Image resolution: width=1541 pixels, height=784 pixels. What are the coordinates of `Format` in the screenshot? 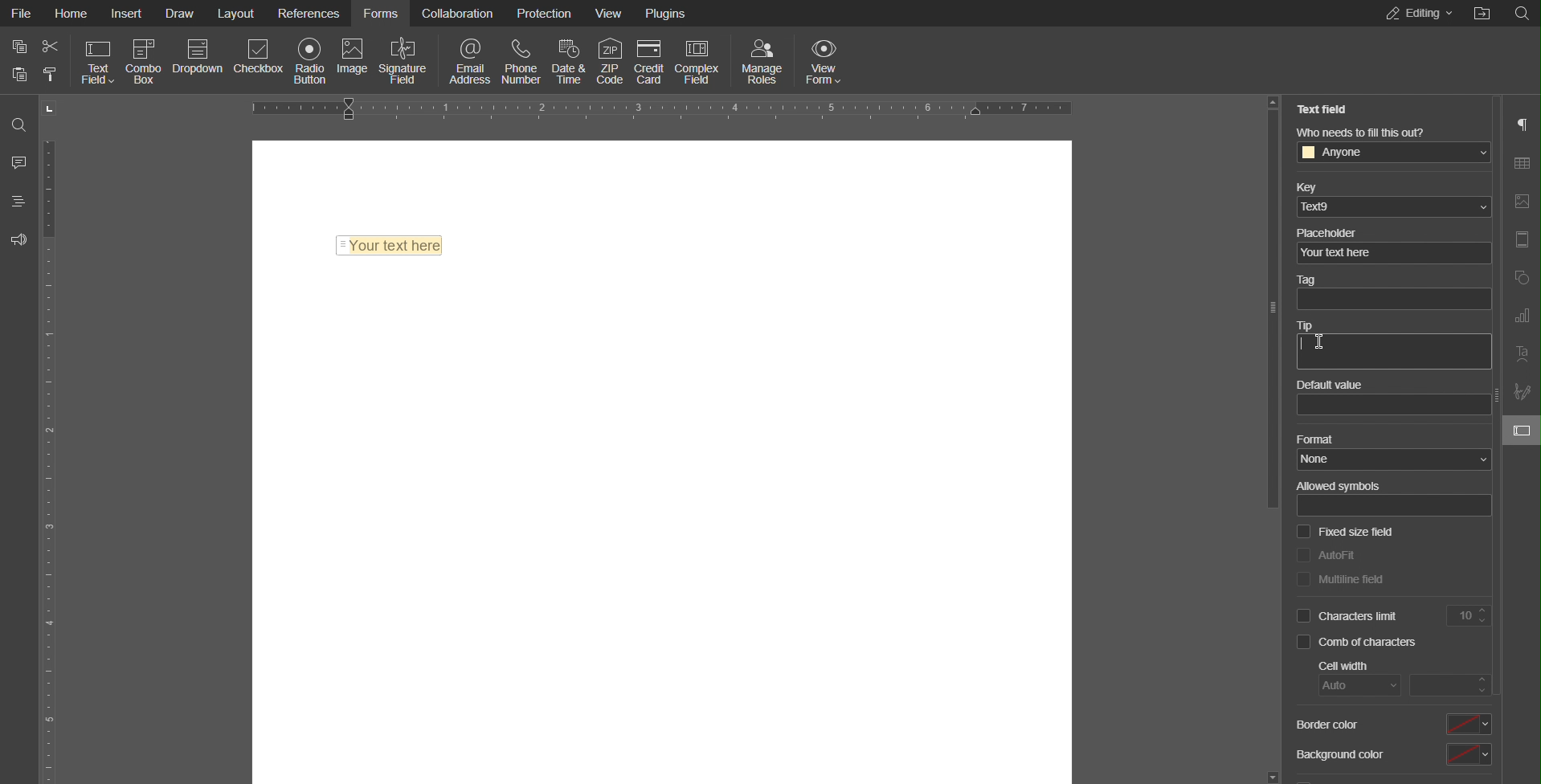 It's located at (1393, 439).